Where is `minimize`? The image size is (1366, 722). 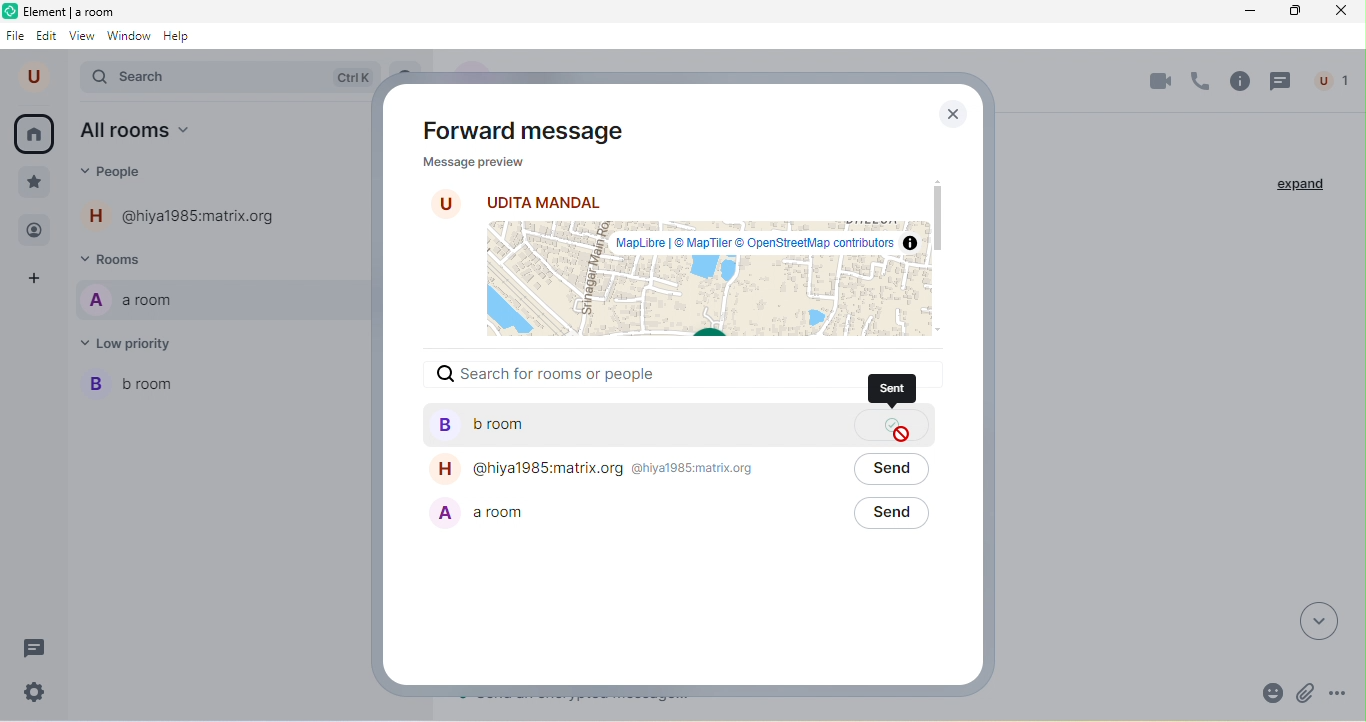
minimize is located at coordinates (1249, 15).